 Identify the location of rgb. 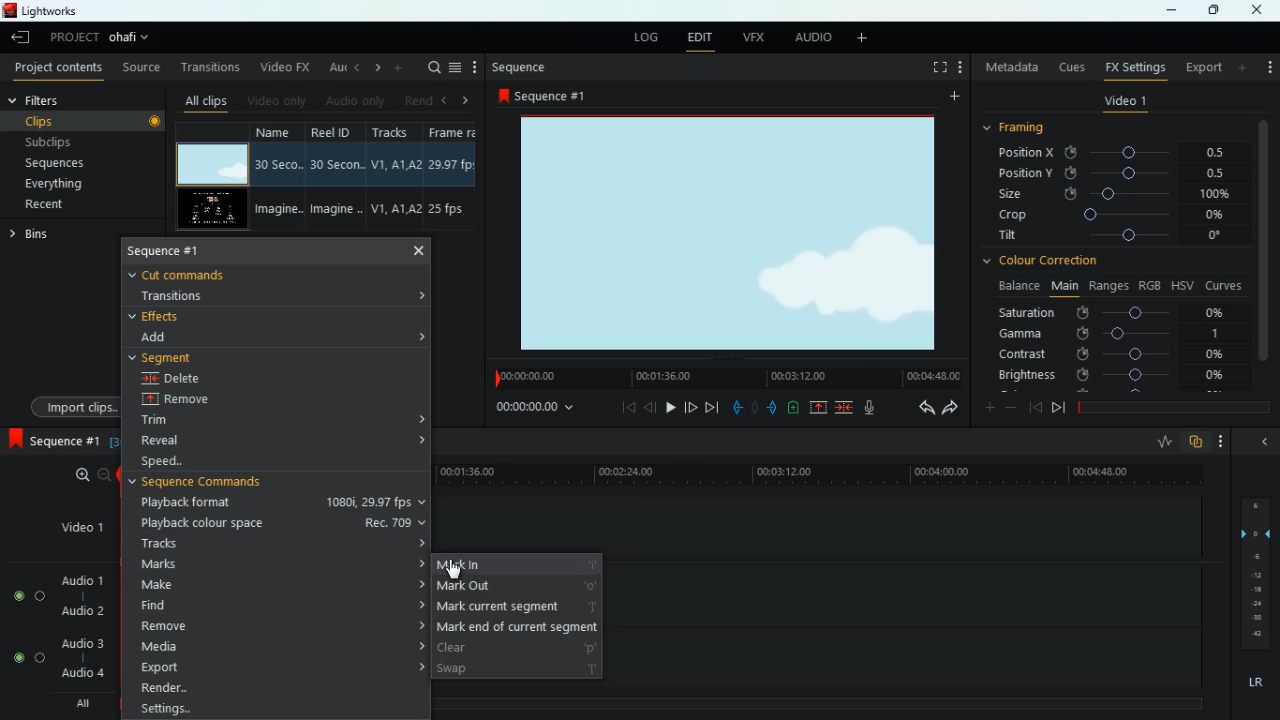
(1151, 284).